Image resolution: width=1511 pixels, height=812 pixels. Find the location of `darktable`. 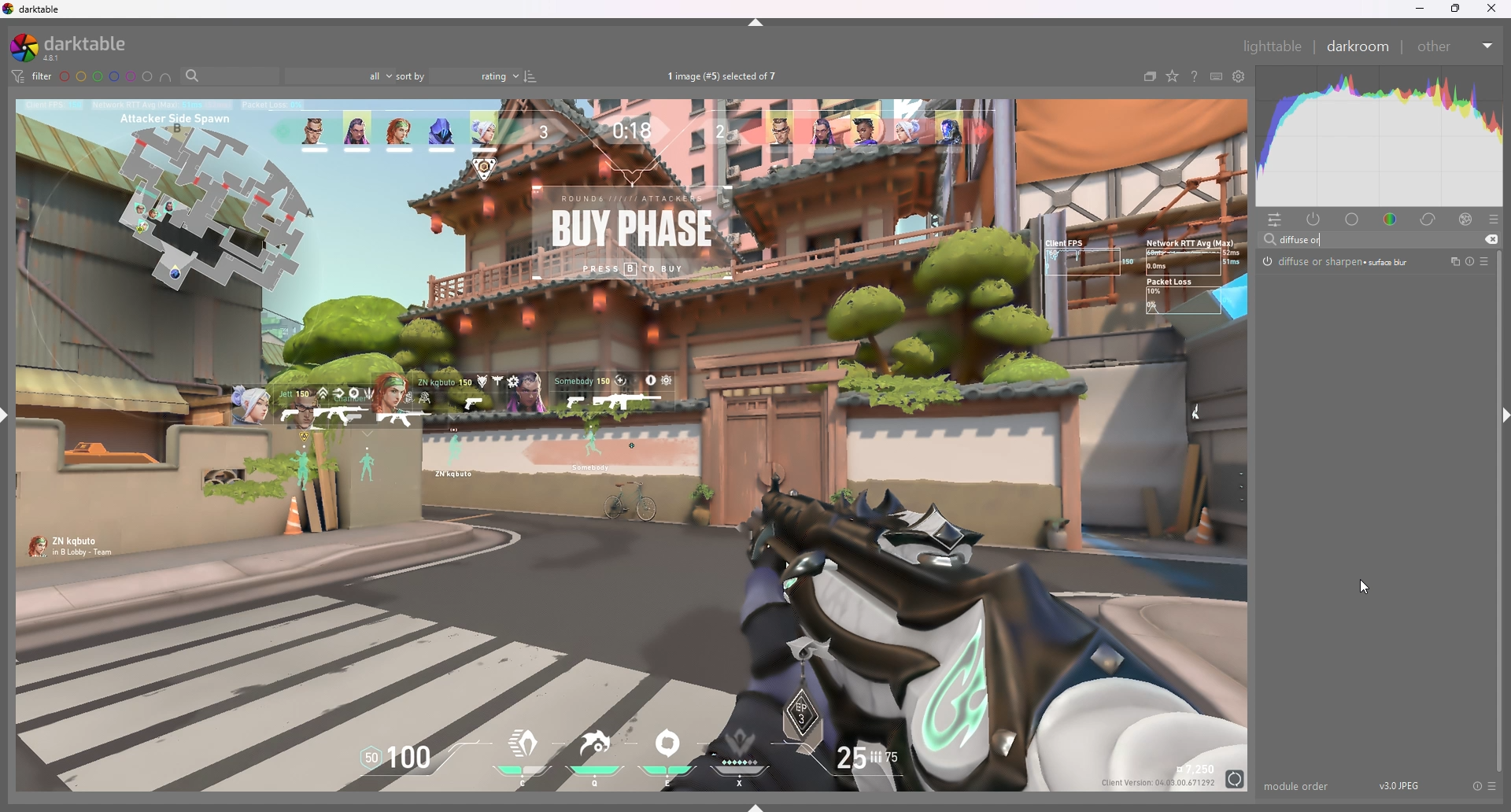

darktable is located at coordinates (35, 9).